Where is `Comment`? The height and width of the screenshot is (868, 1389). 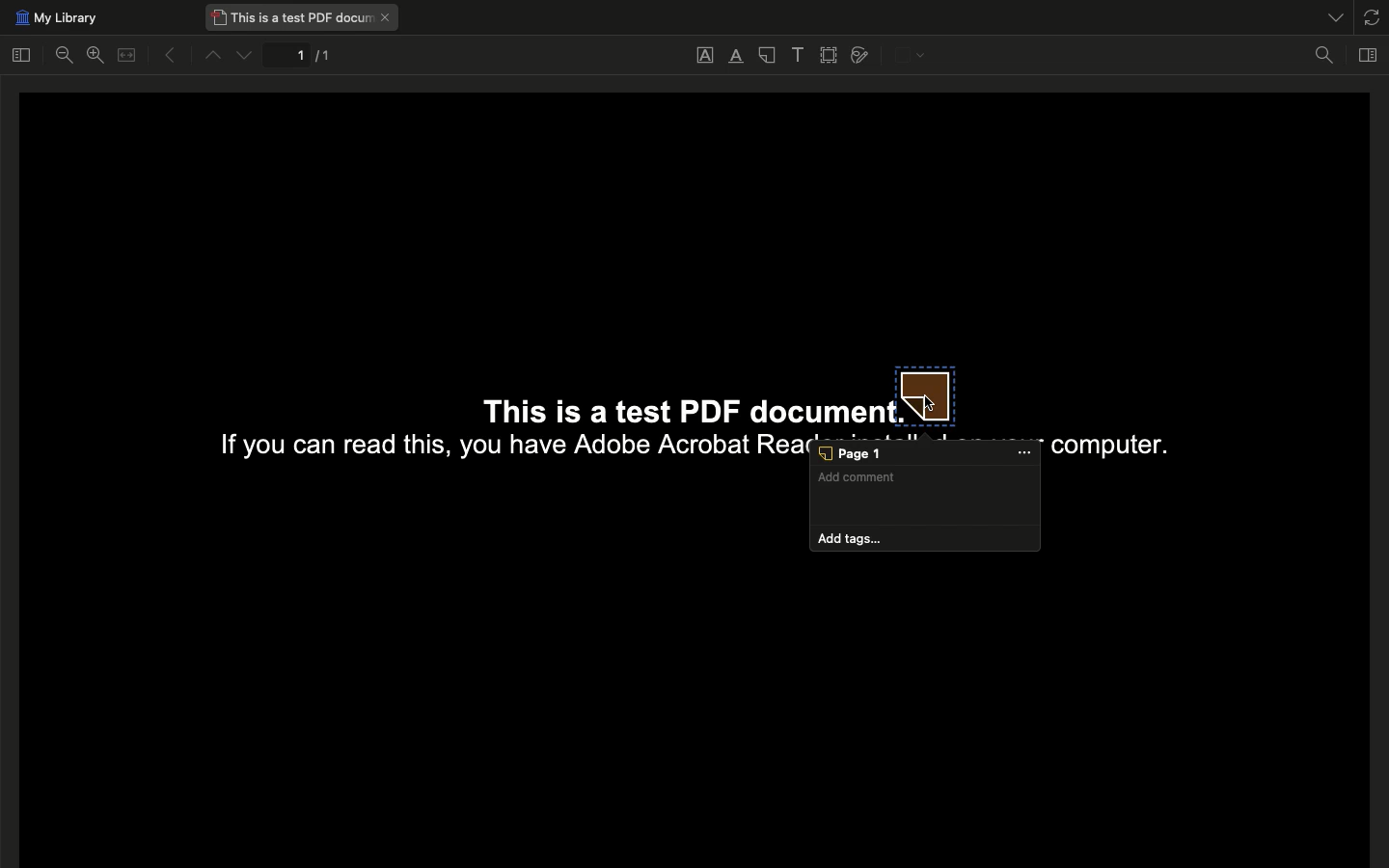
Comment is located at coordinates (926, 496).